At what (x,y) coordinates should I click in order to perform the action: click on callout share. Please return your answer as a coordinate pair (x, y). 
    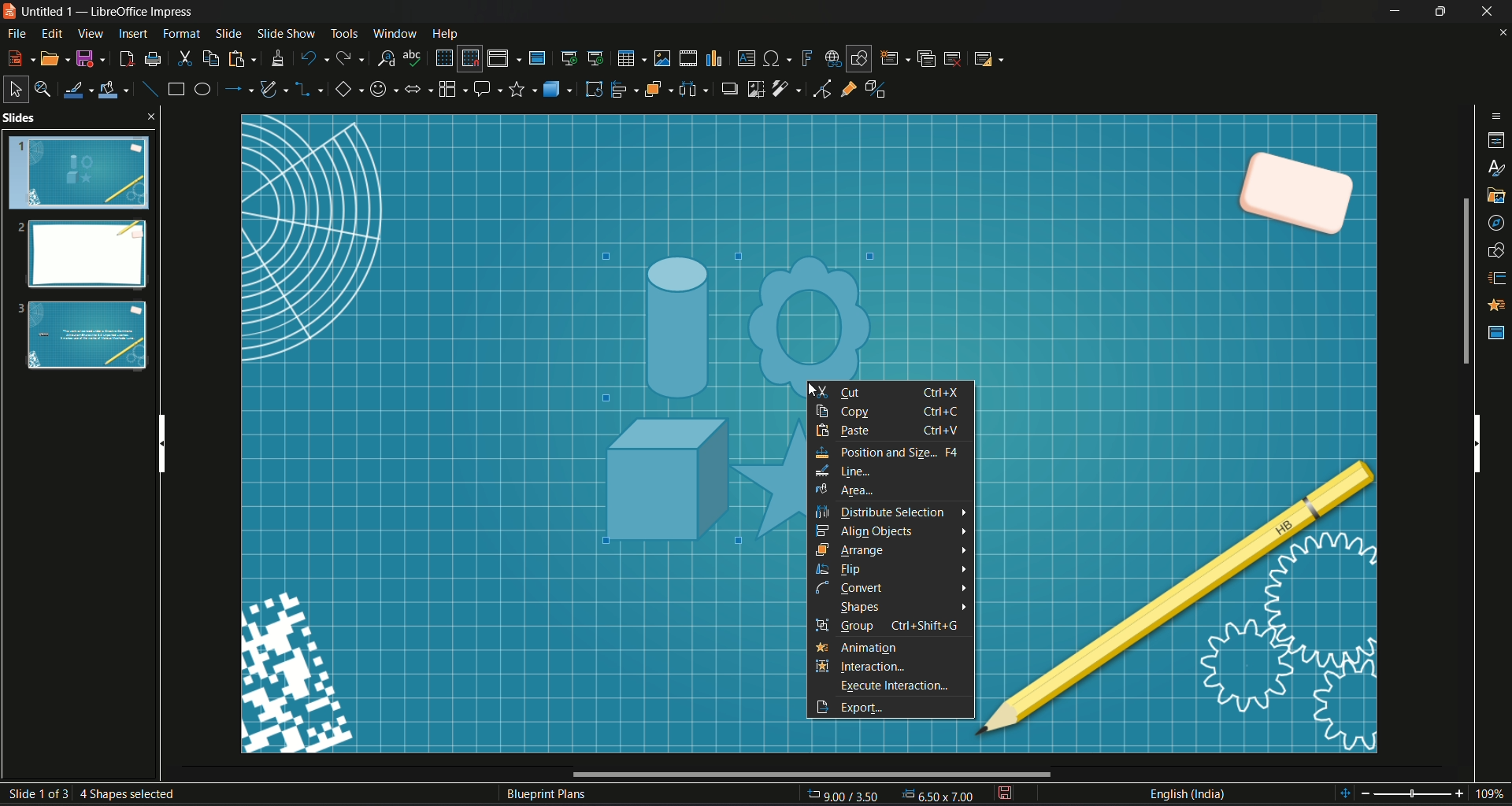
    Looking at the image, I should click on (487, 88).